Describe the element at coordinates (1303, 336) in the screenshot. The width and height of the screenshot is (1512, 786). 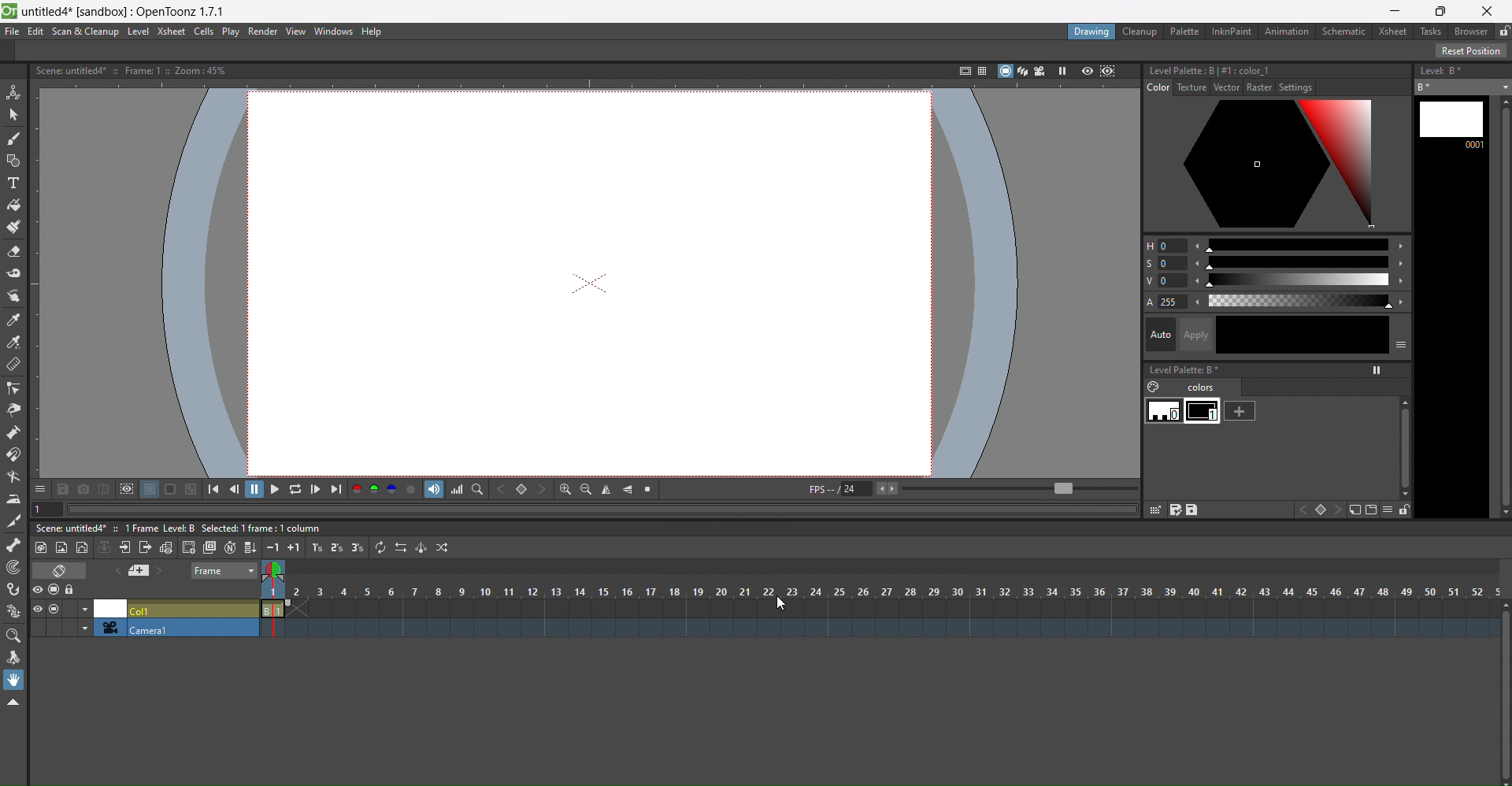
I see `auto` at that location.